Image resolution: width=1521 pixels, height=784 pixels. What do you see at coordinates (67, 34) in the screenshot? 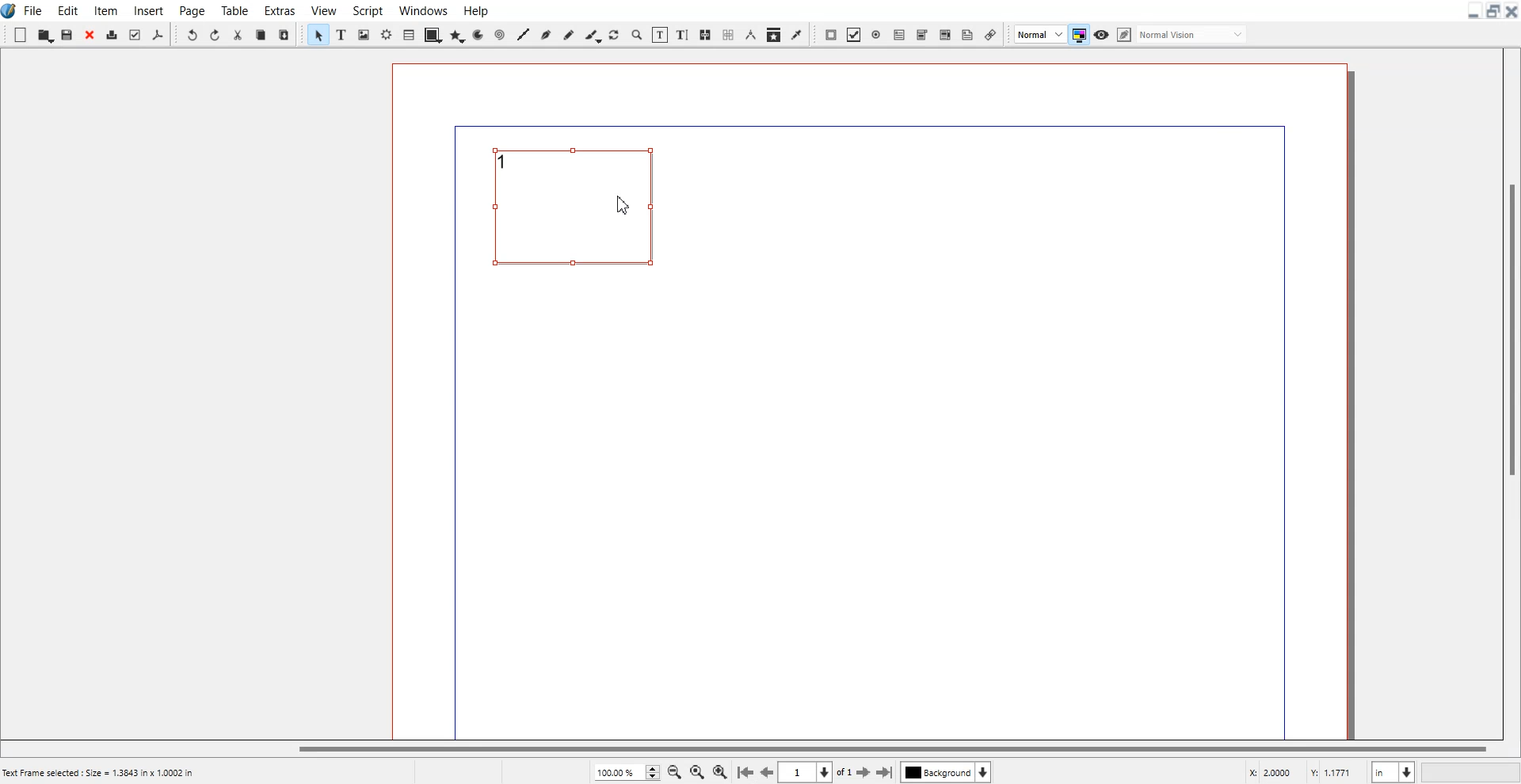
I see `Save` at bounding box center [67, 34].